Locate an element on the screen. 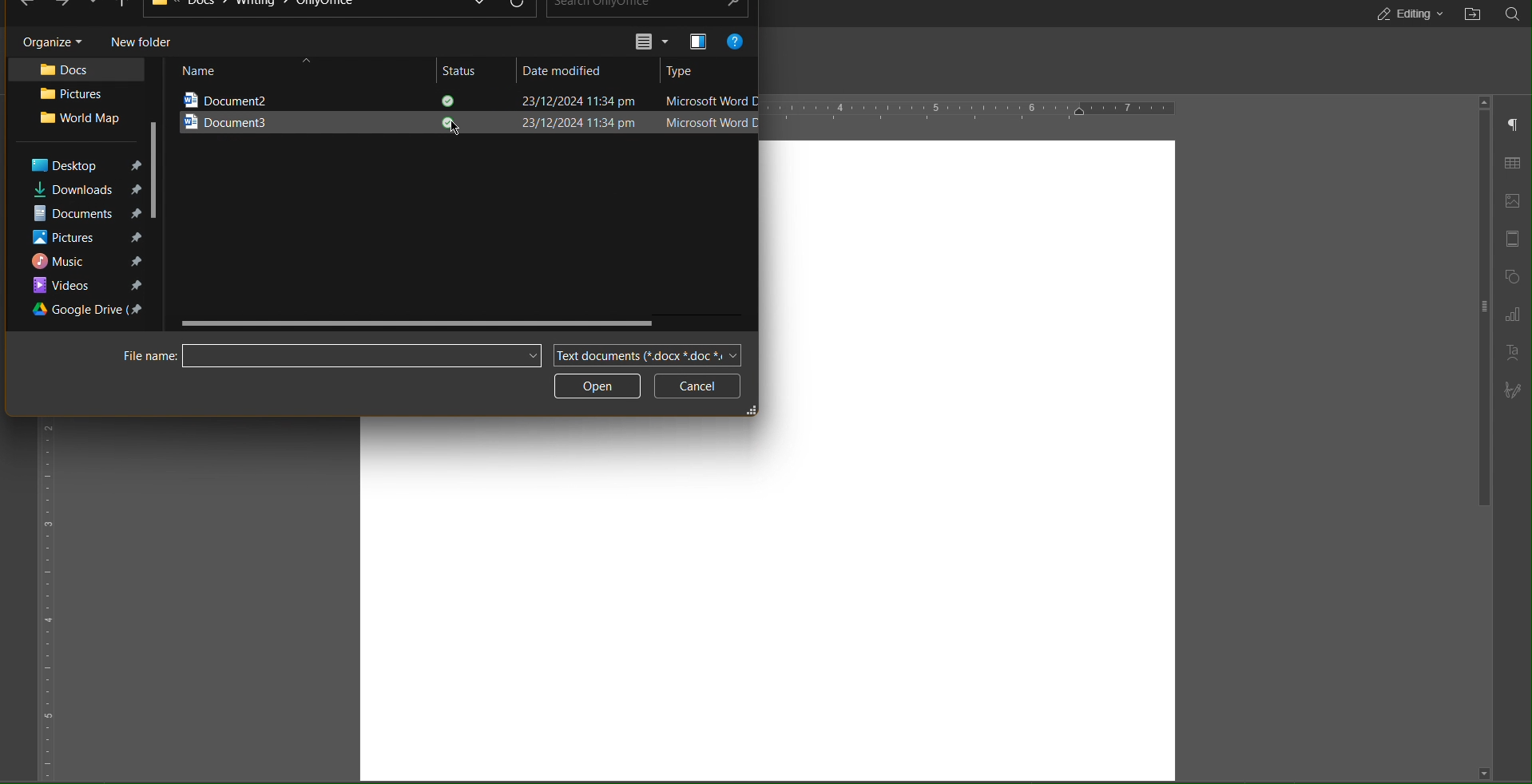 The image size is (1532, 784). Desktop is located at coordinates (83, 166).